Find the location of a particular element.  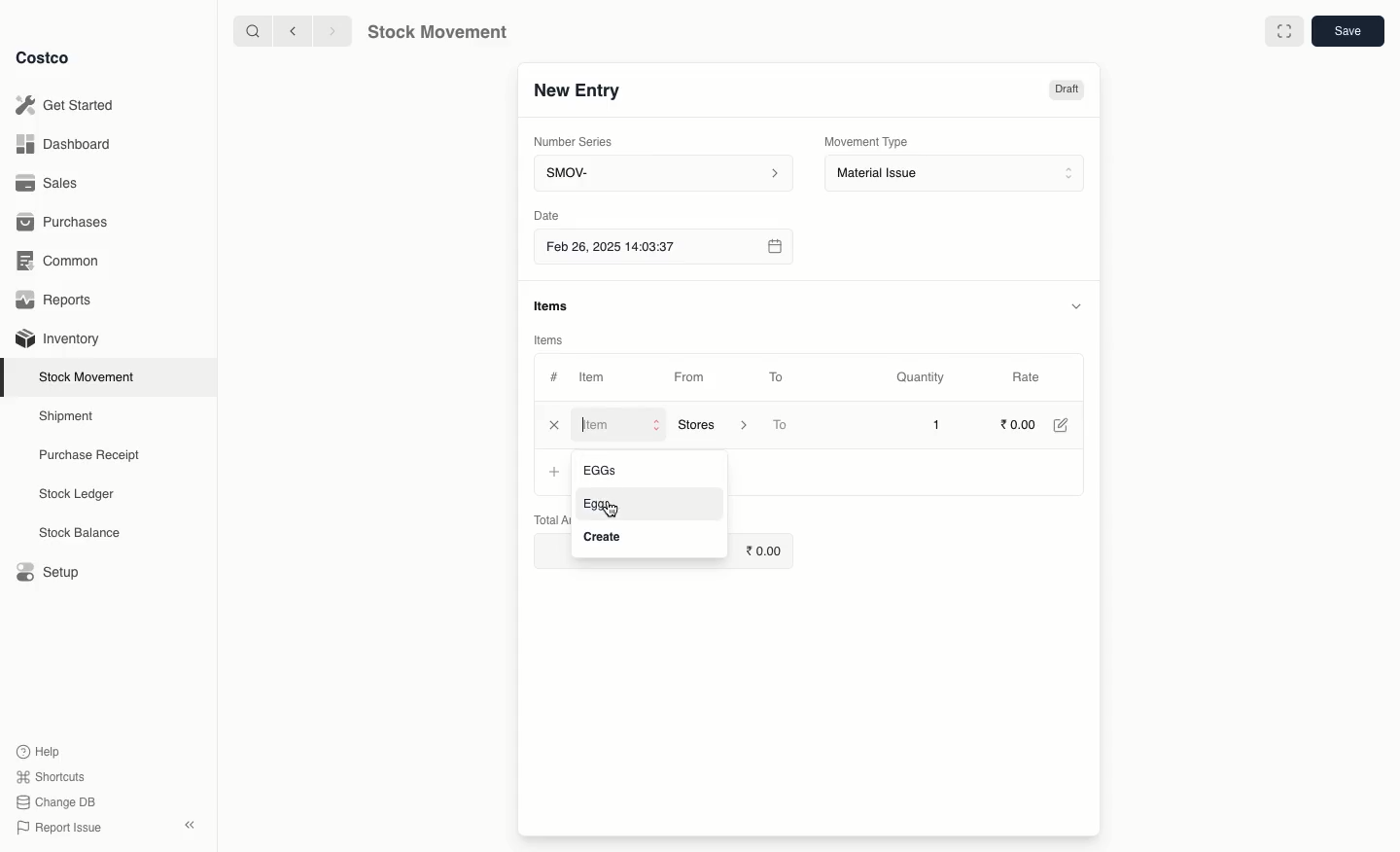

0.00 is located at coordinates (768, 550).